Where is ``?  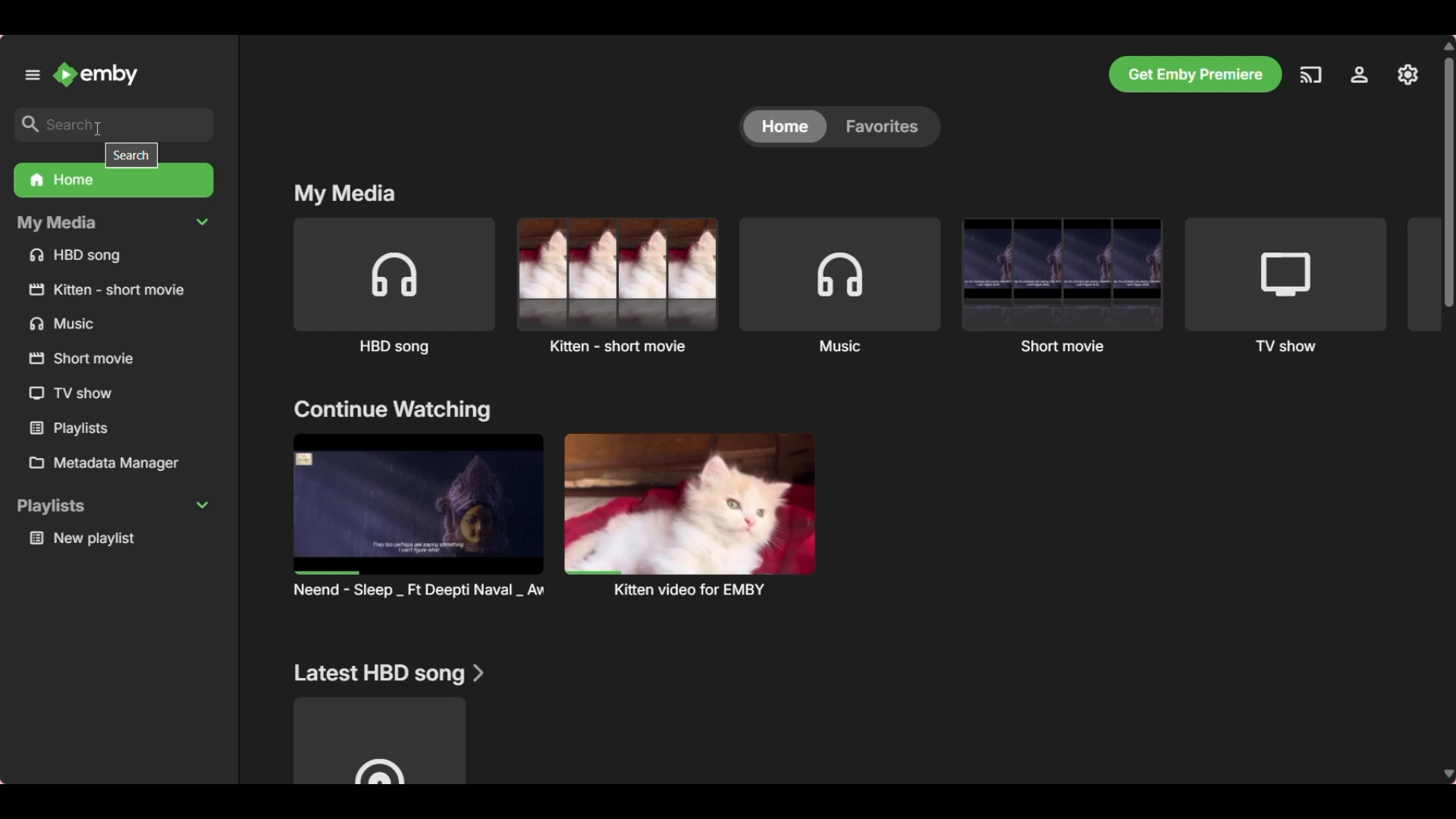  is located at coordinates (695, 519).